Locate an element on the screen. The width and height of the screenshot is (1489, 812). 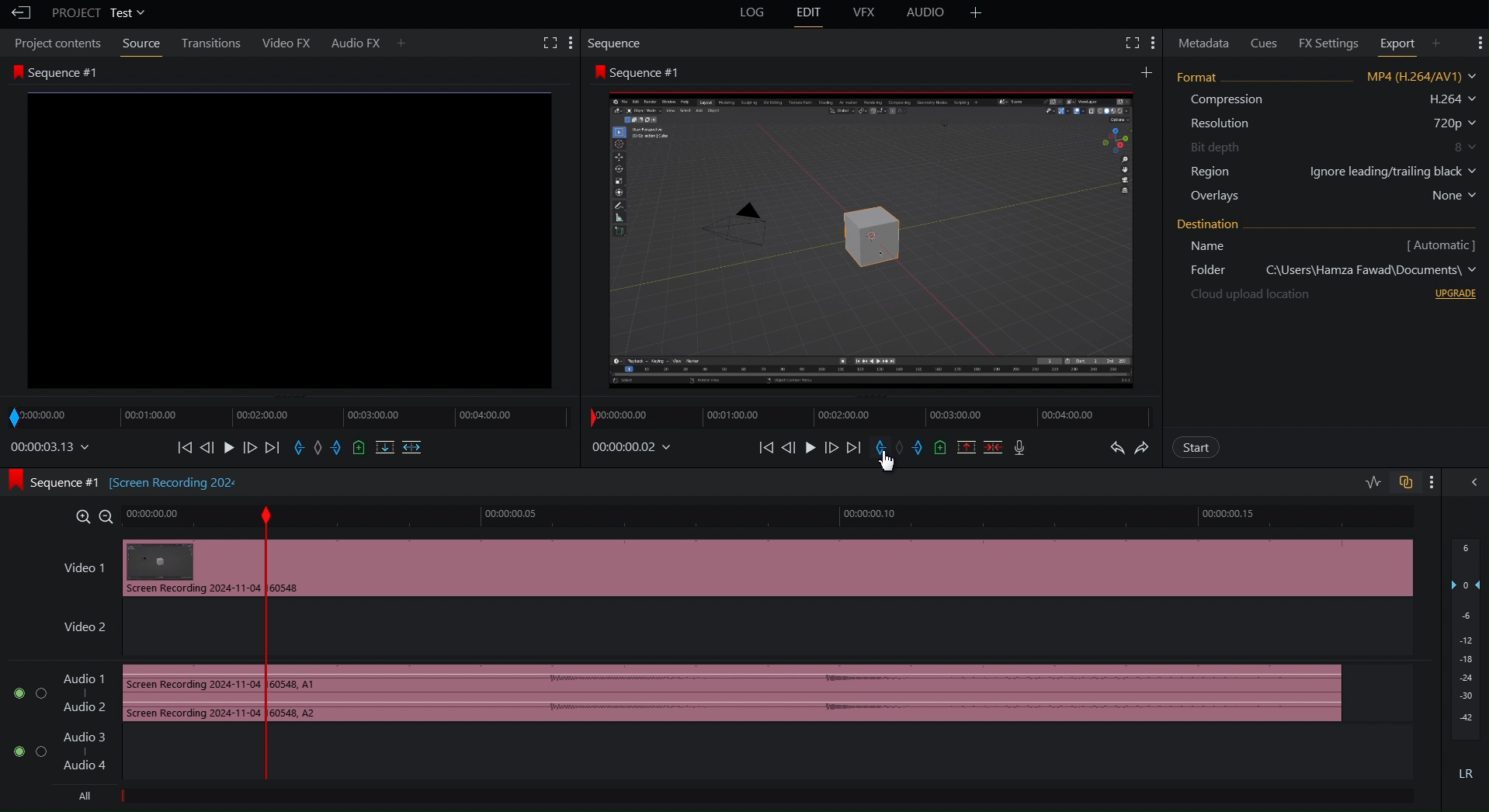
Format is located at coordinates (1326, 138).